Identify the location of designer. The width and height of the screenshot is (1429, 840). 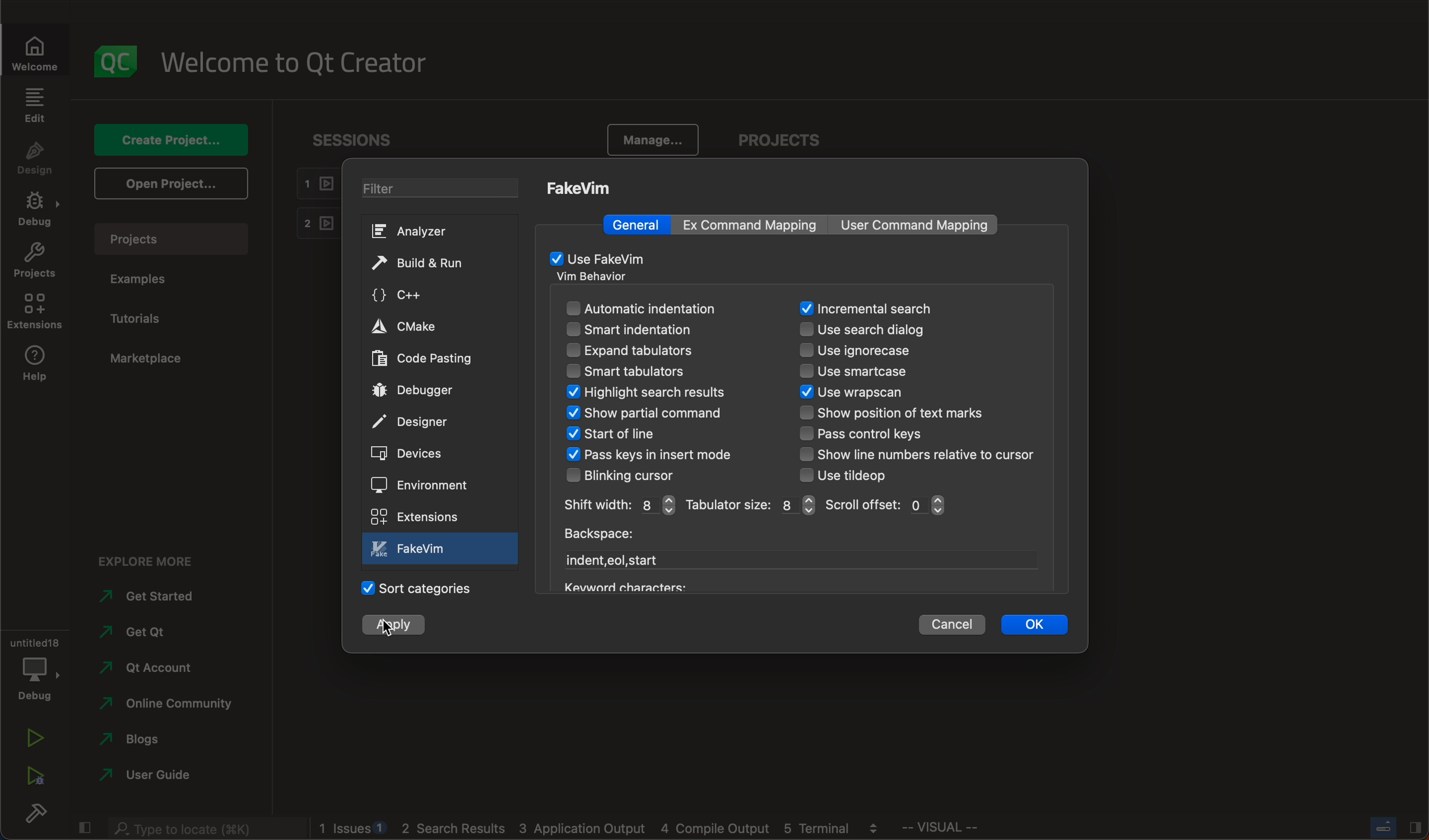
(417, 422).